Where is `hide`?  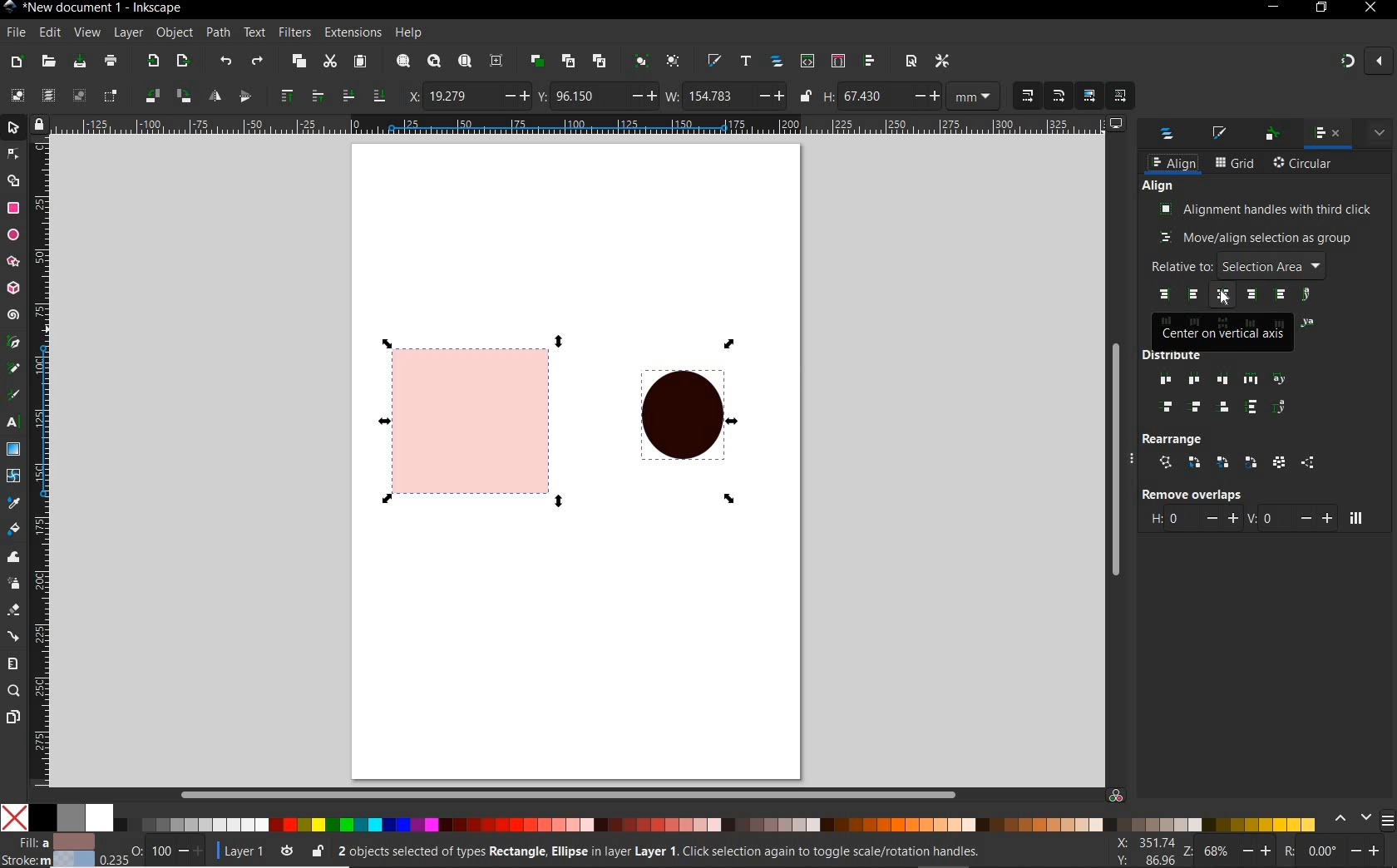
hide is located at coordinates (1137, 461).